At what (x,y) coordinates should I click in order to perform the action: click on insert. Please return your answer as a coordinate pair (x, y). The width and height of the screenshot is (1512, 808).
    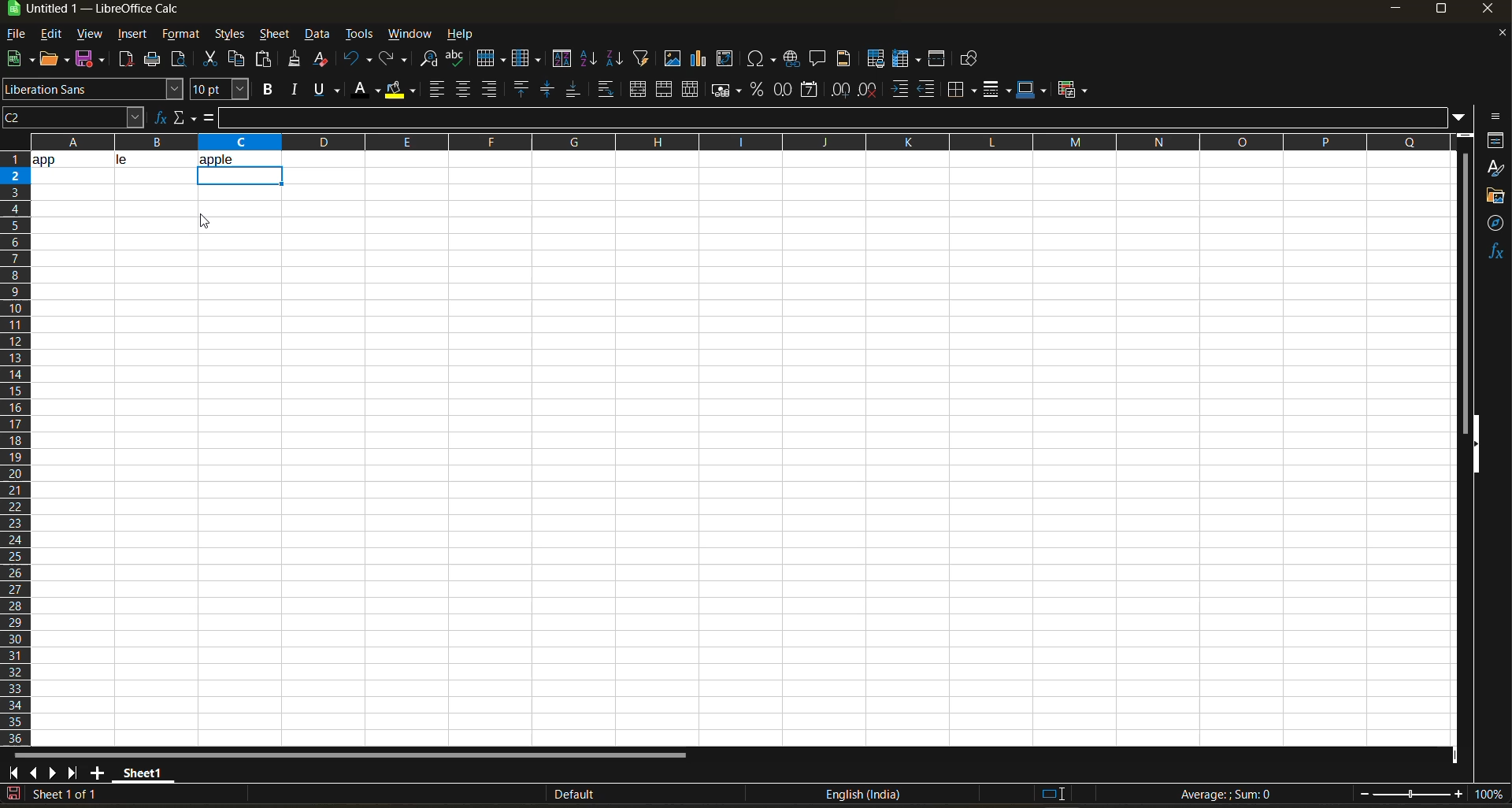
    Looking at the image, I should click on (132, 35).